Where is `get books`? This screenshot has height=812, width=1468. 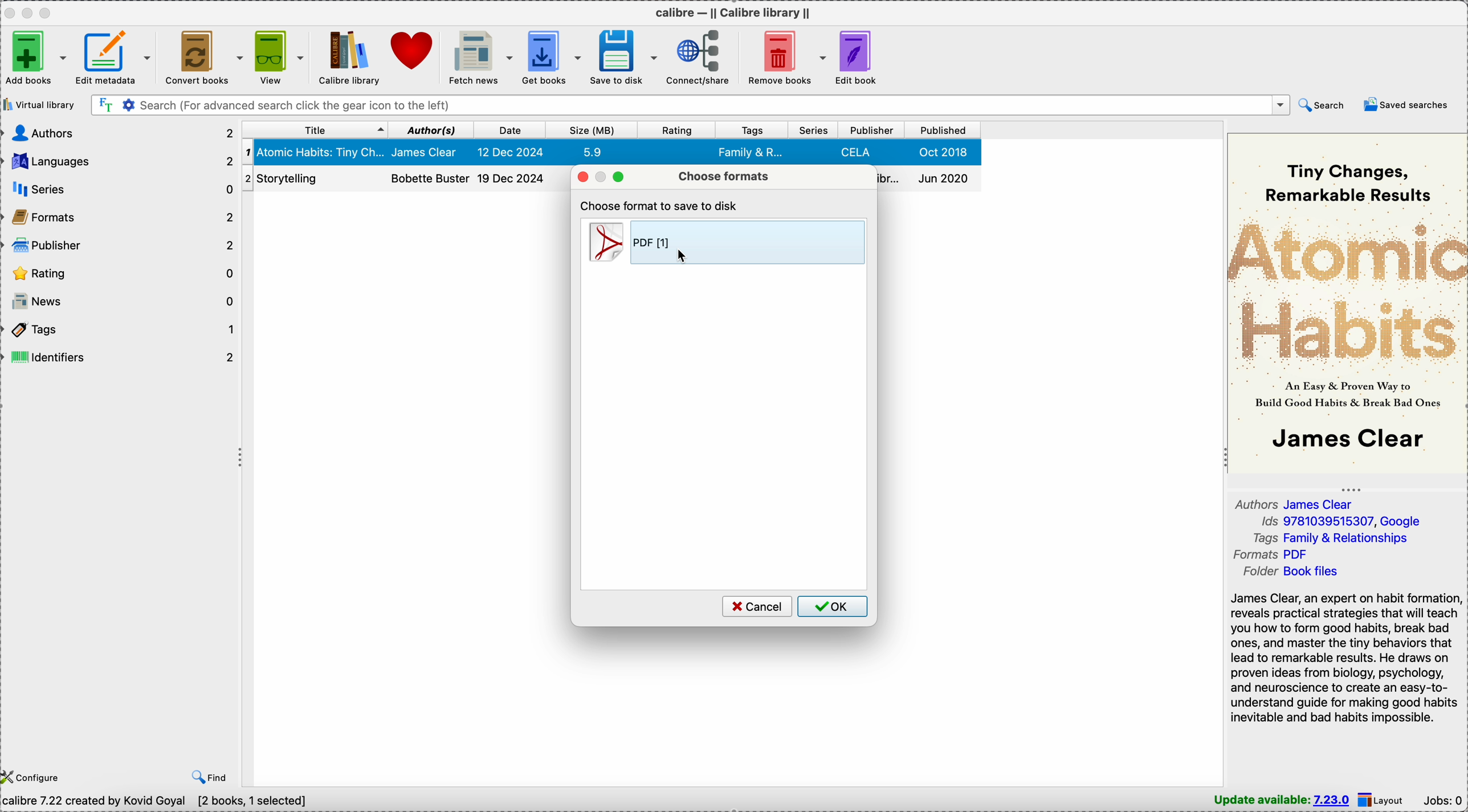 get books is located at coordinates (549, 56).